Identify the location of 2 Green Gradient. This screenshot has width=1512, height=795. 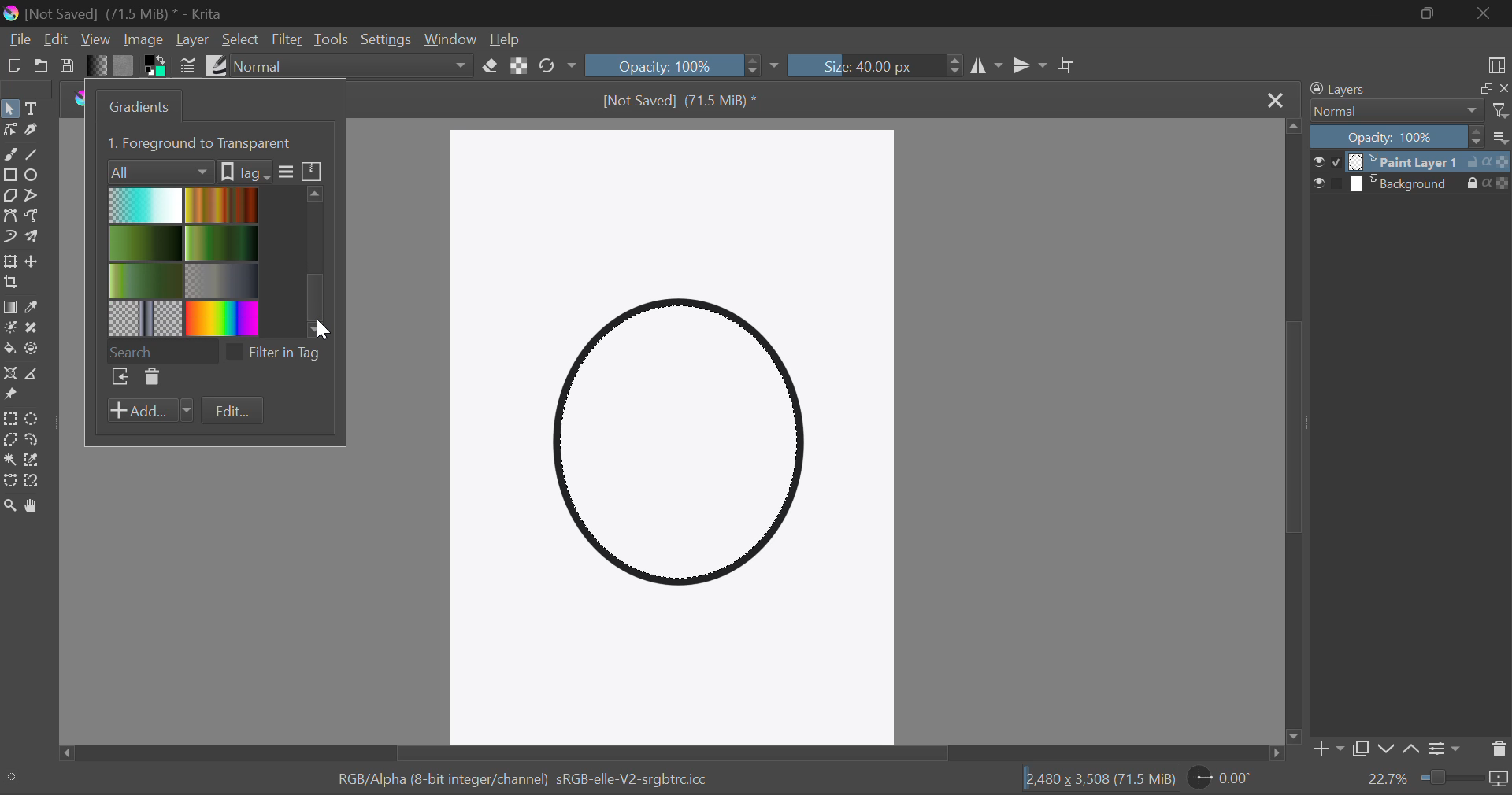
(148, 245).